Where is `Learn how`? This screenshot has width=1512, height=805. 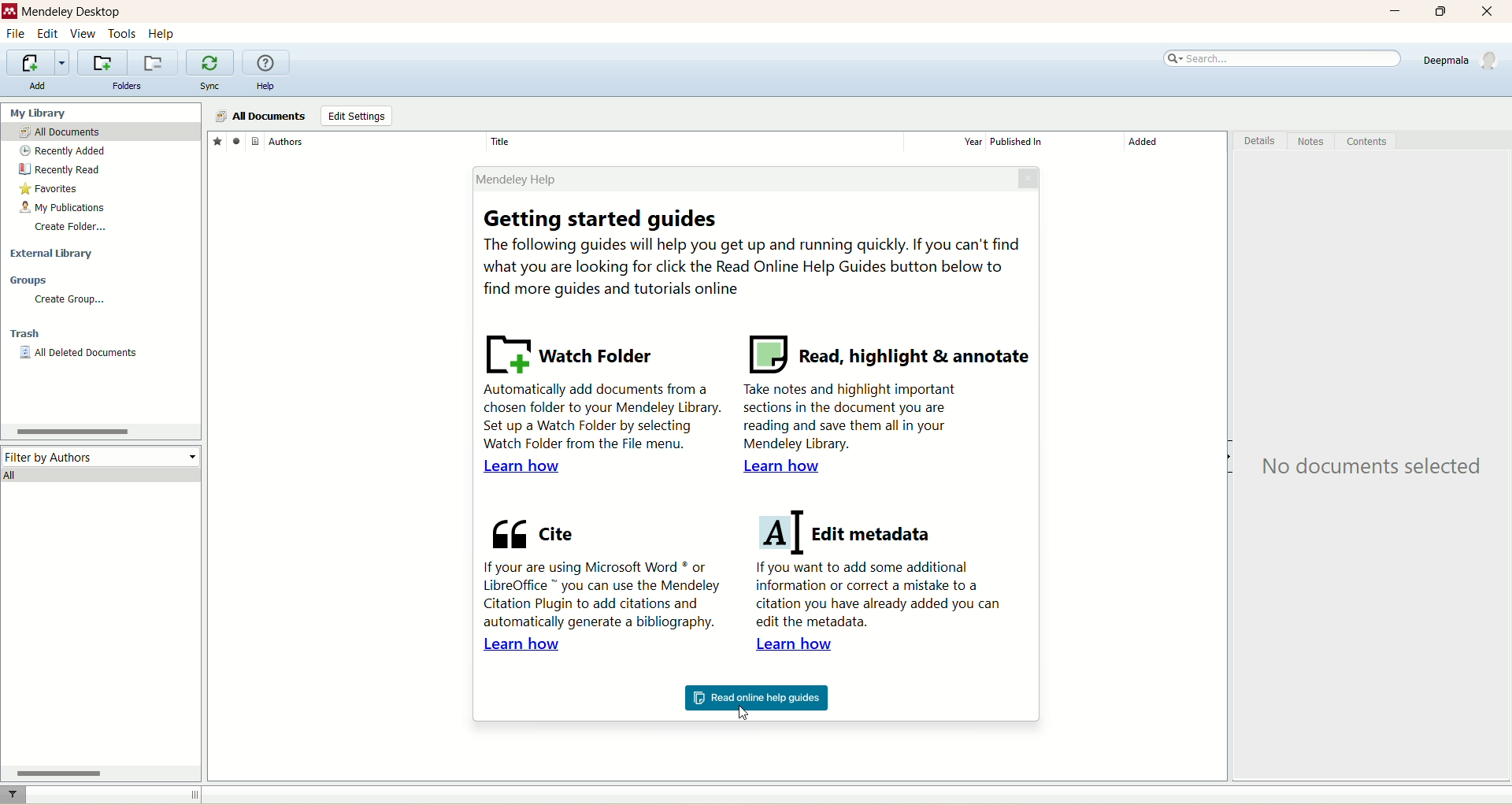 Learn how is located at coordinates (522, 645).